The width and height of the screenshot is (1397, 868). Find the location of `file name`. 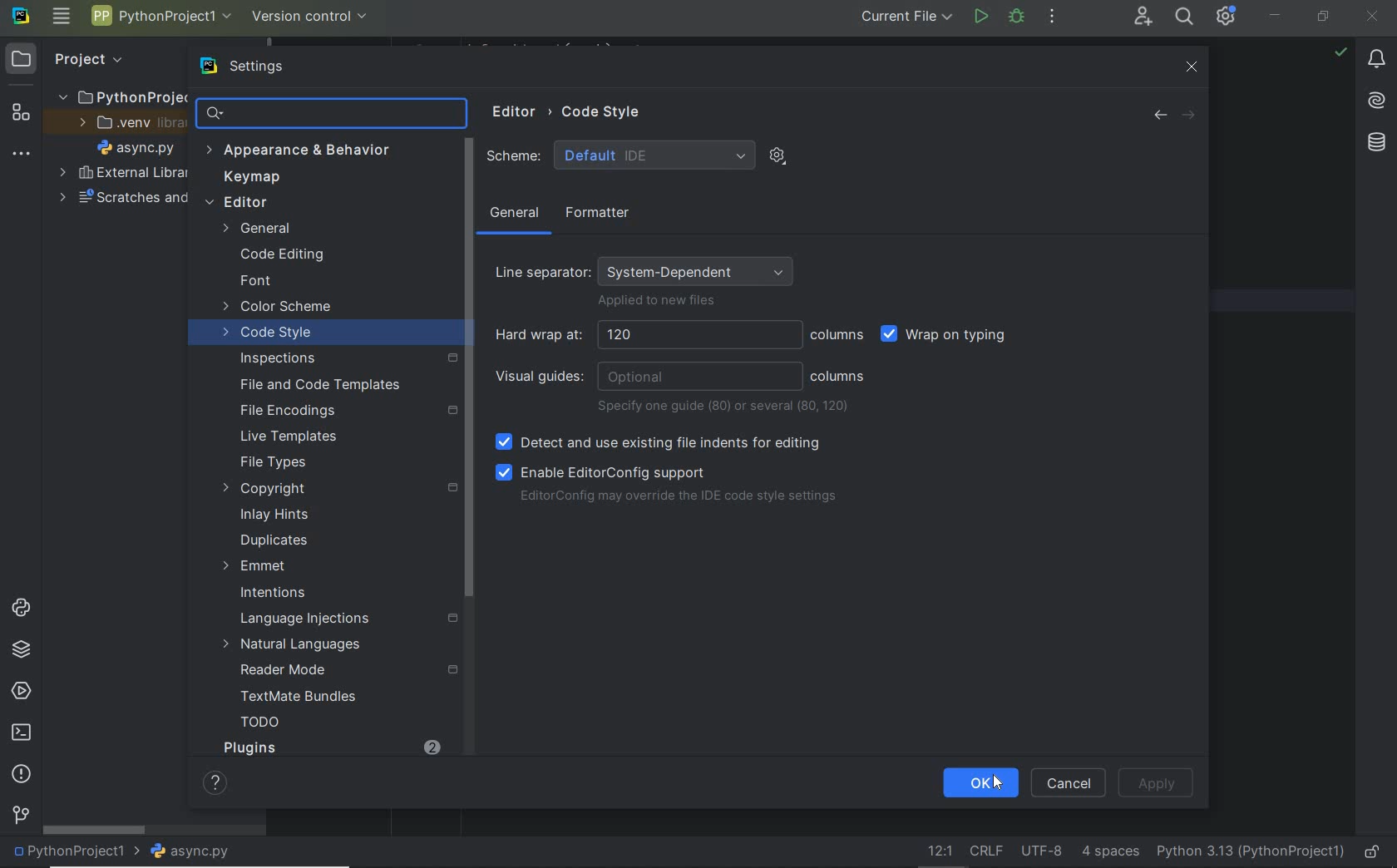

file name is located at coordinates (140, 150).